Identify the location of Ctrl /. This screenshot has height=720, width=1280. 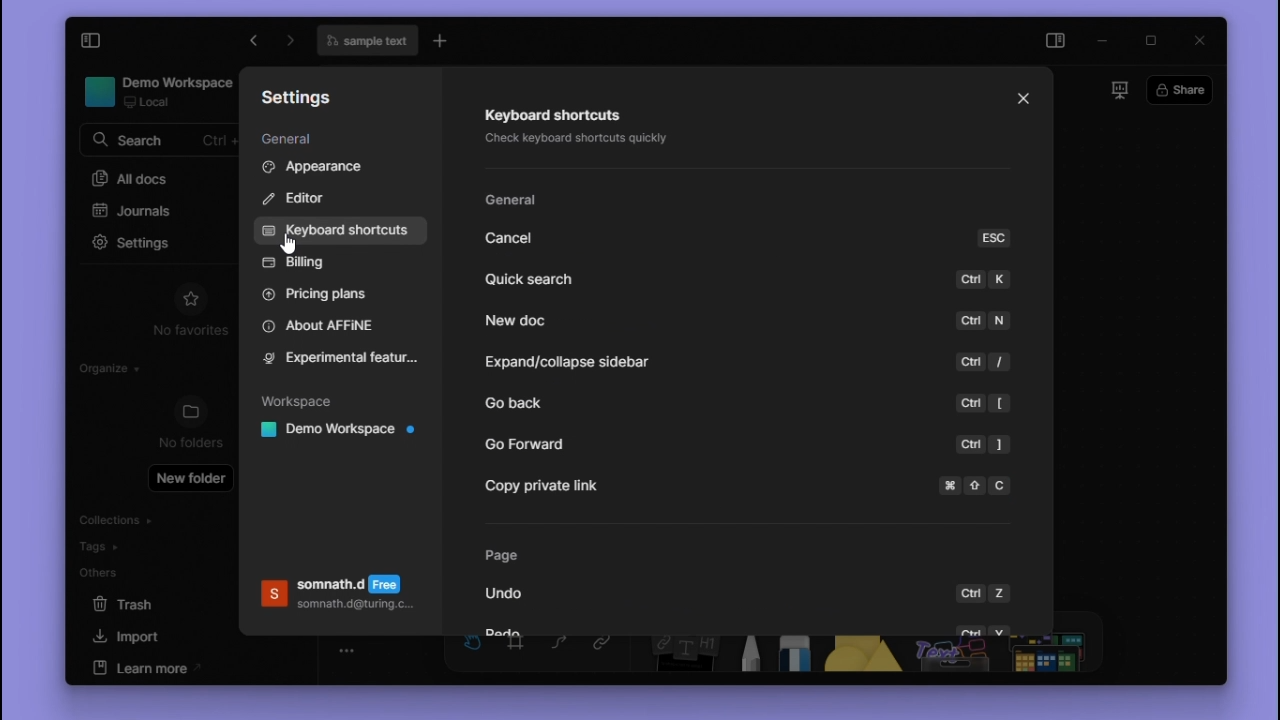
(986, 363).